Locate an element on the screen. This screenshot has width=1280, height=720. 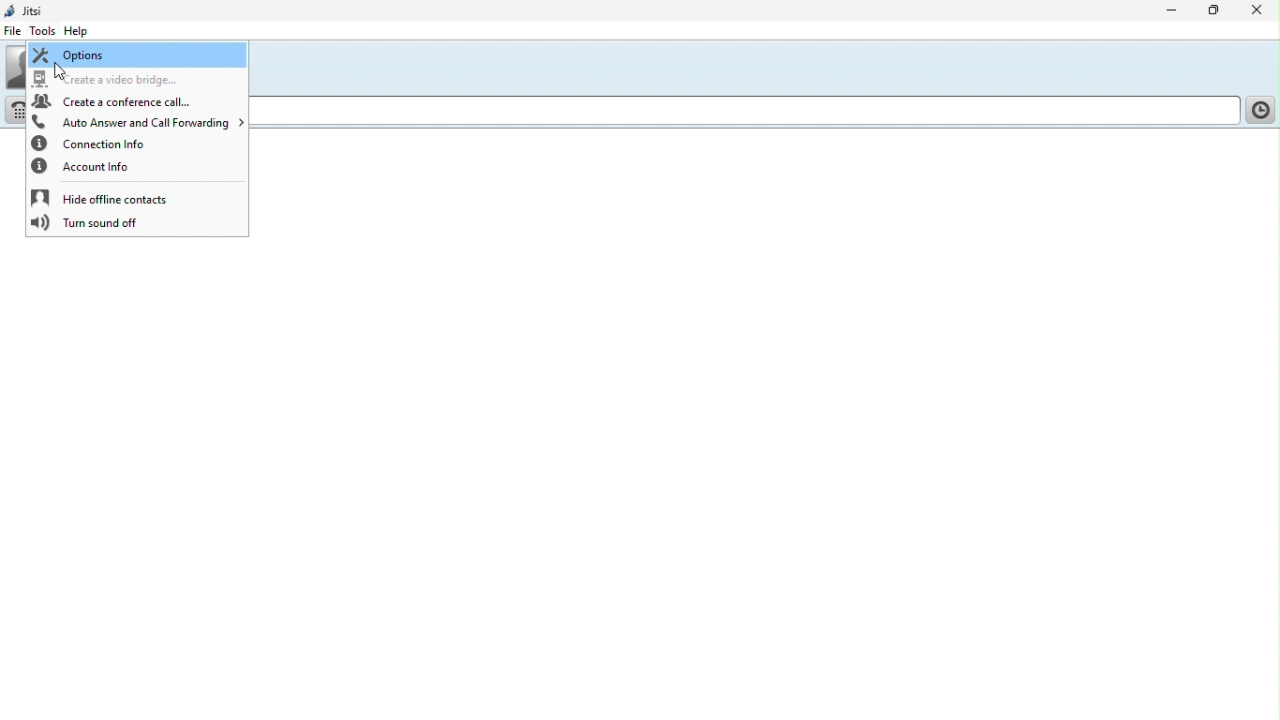
Hide offline contacts is located at coordinates (114, 199).